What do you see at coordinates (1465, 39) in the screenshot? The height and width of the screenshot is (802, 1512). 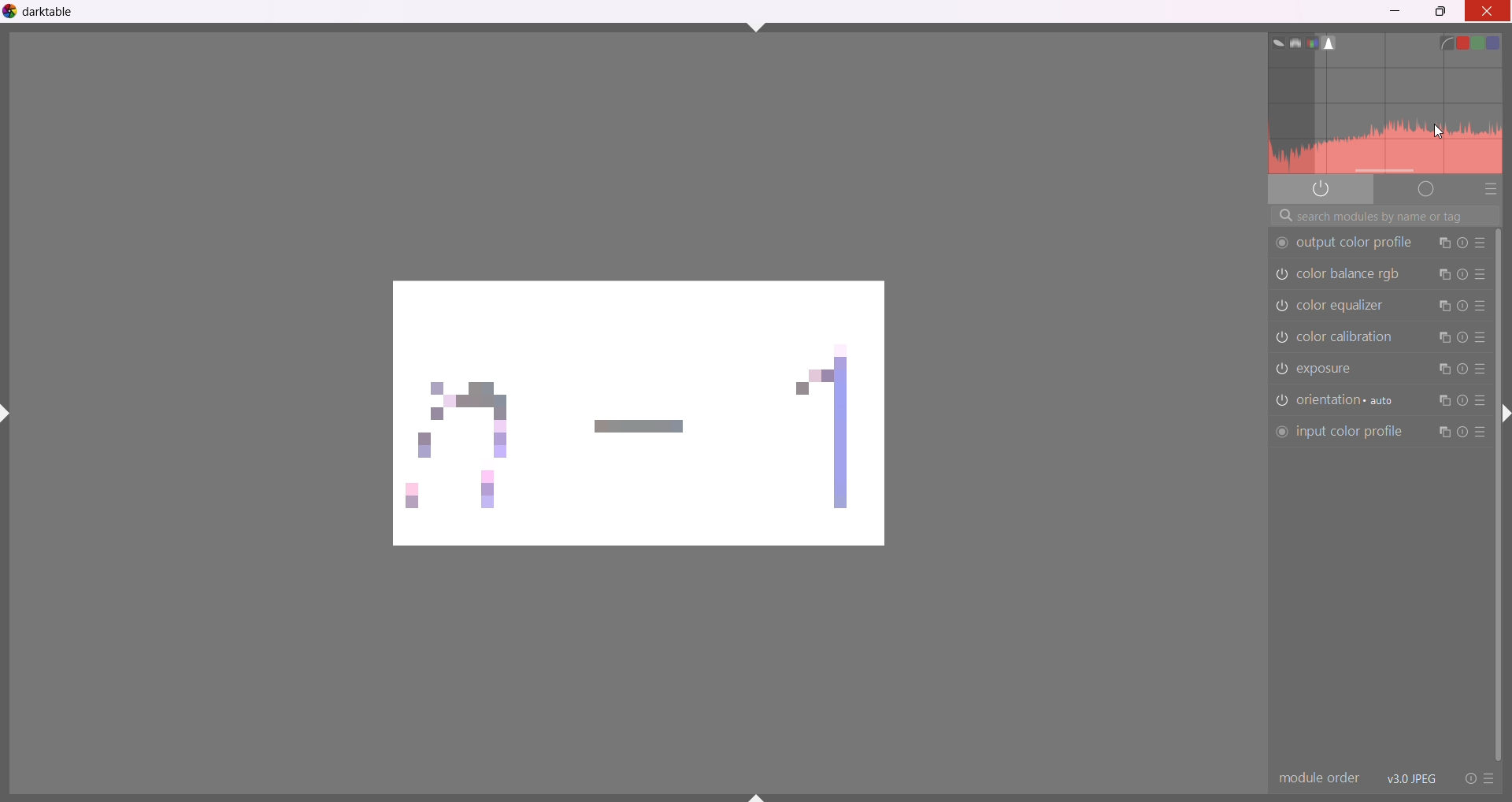 I see `red` at bounding box center [1465, 39].